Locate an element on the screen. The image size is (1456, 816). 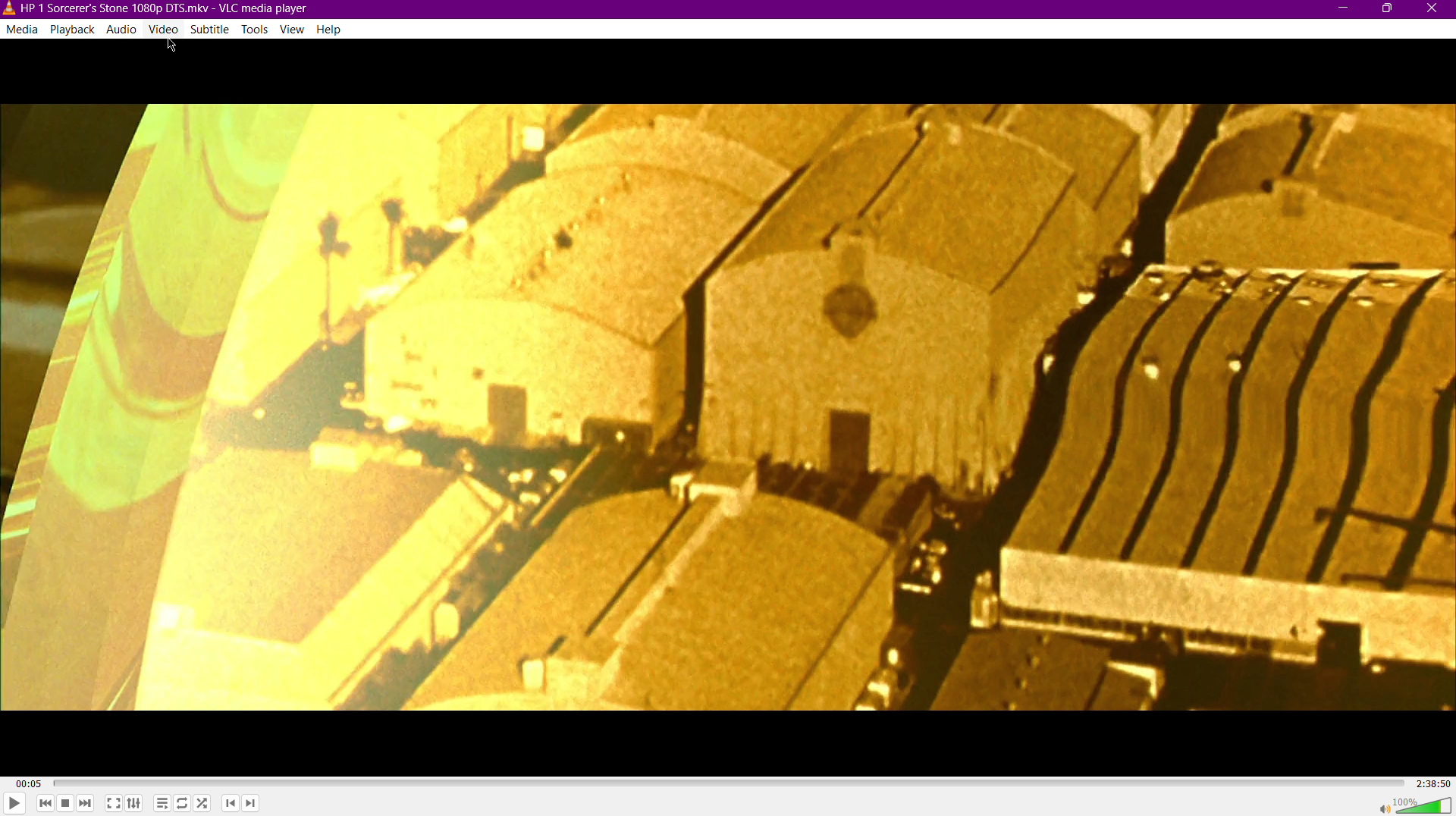
Video Display is located at coordinates (728, 406).